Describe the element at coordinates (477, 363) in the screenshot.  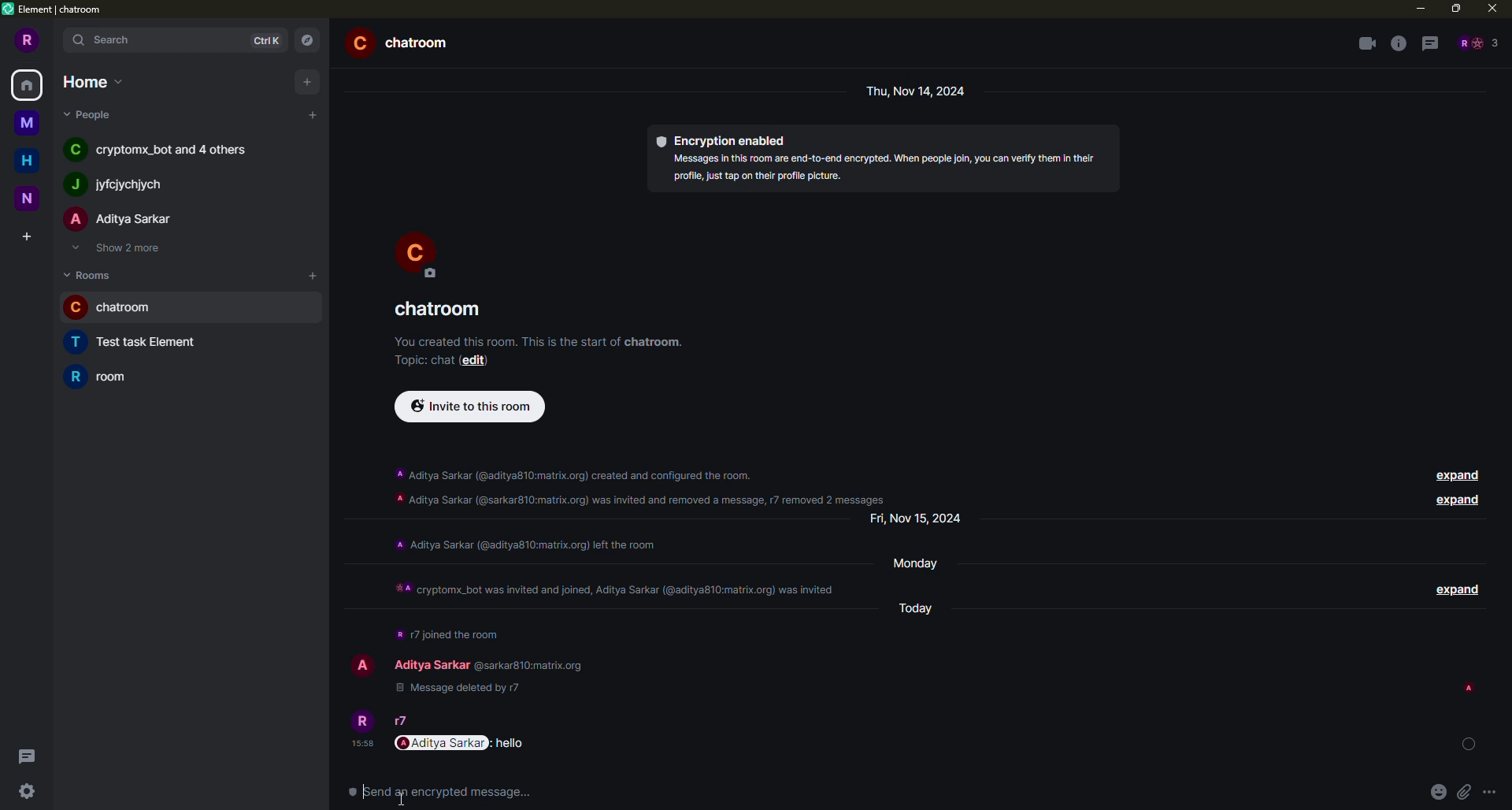
I see `edit` at that location.